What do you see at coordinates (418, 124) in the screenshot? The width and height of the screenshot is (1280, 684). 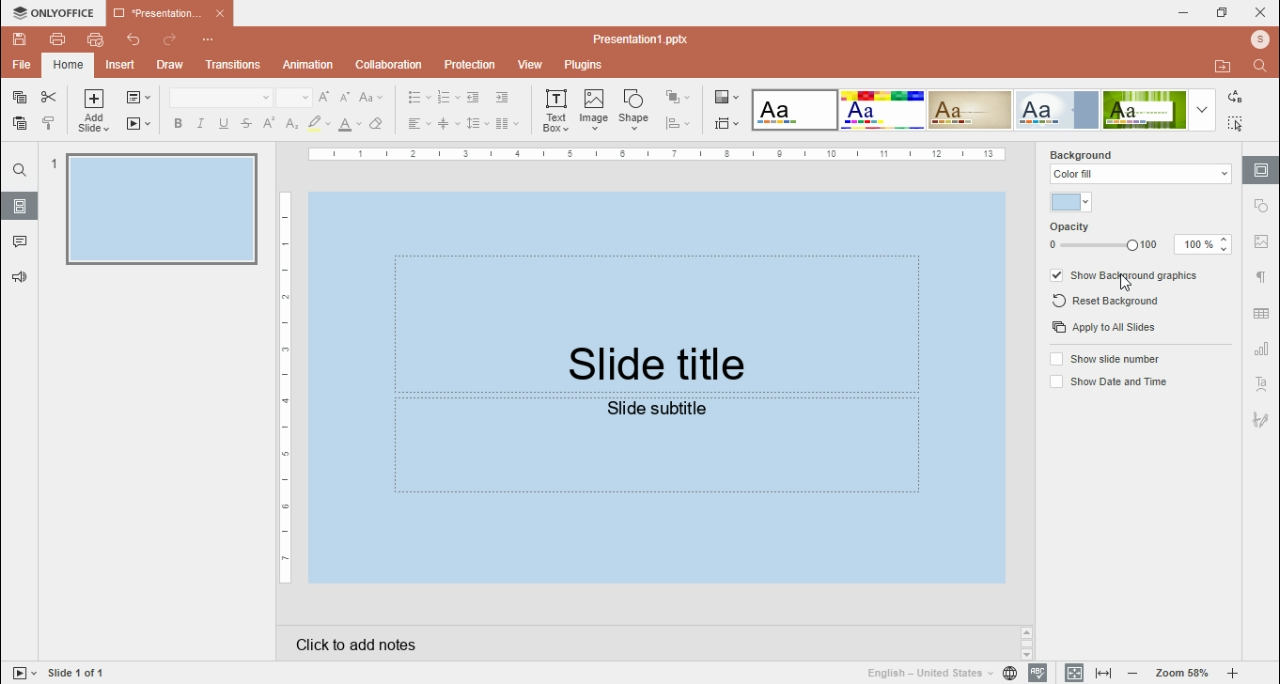 I see `horizontal align` at bounding box center [418, 124].